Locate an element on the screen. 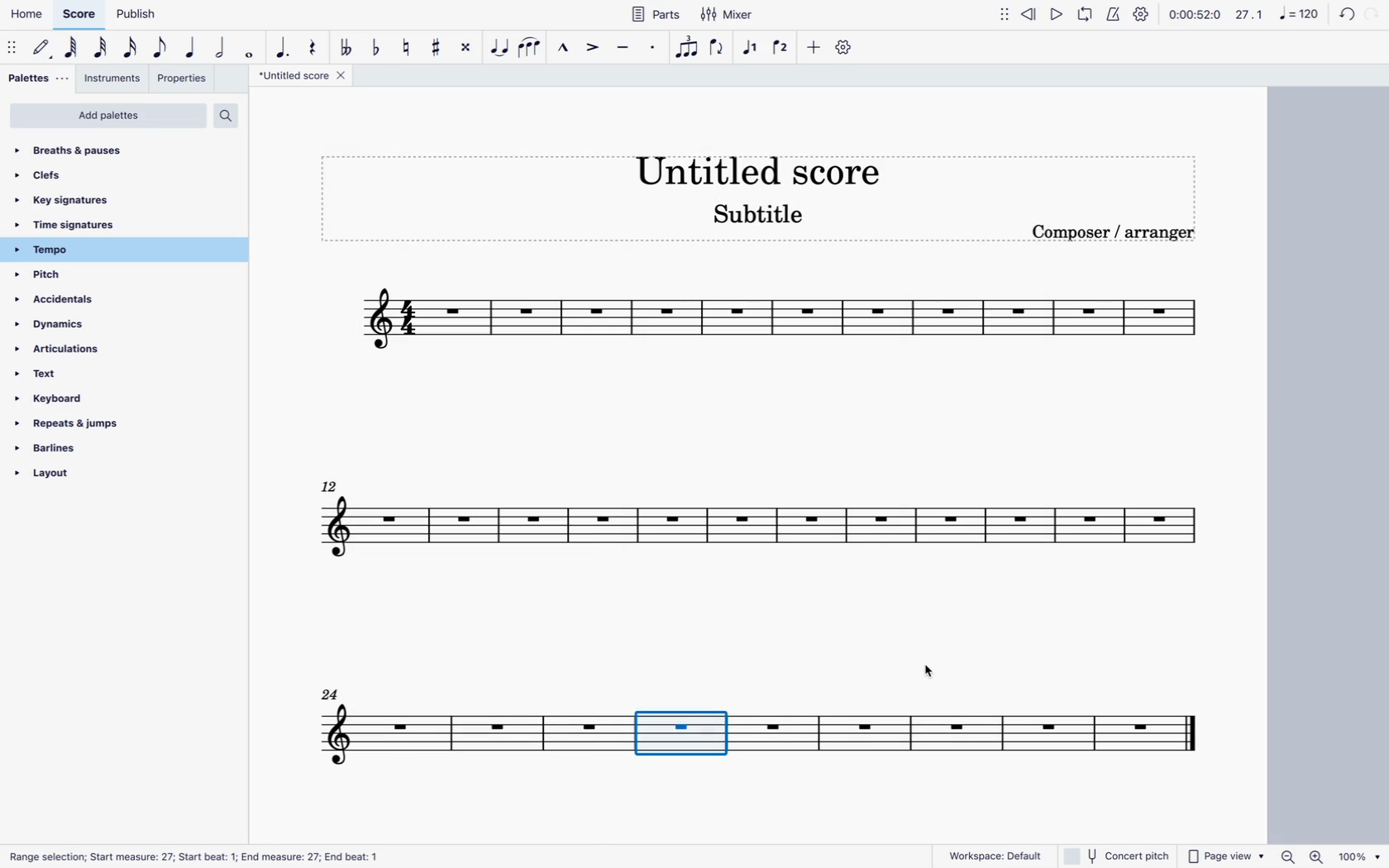 This screenshot has height=868, width=1389. marcato is located at coordinates (564, 49).